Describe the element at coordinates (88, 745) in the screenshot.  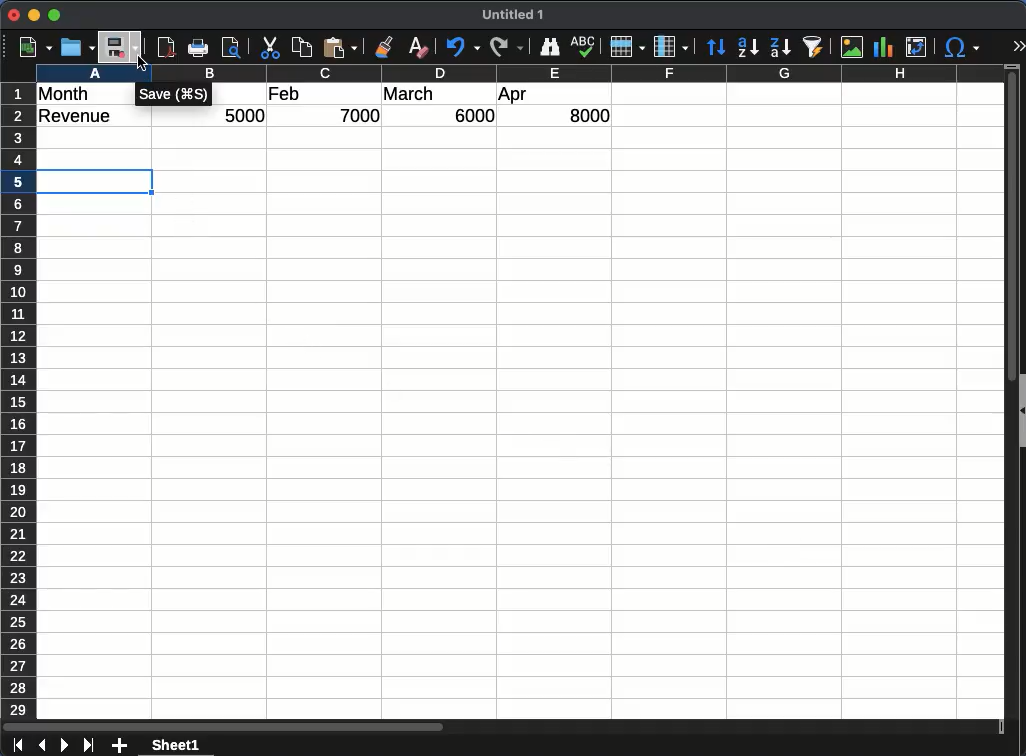
I see `last sheet` at that location.